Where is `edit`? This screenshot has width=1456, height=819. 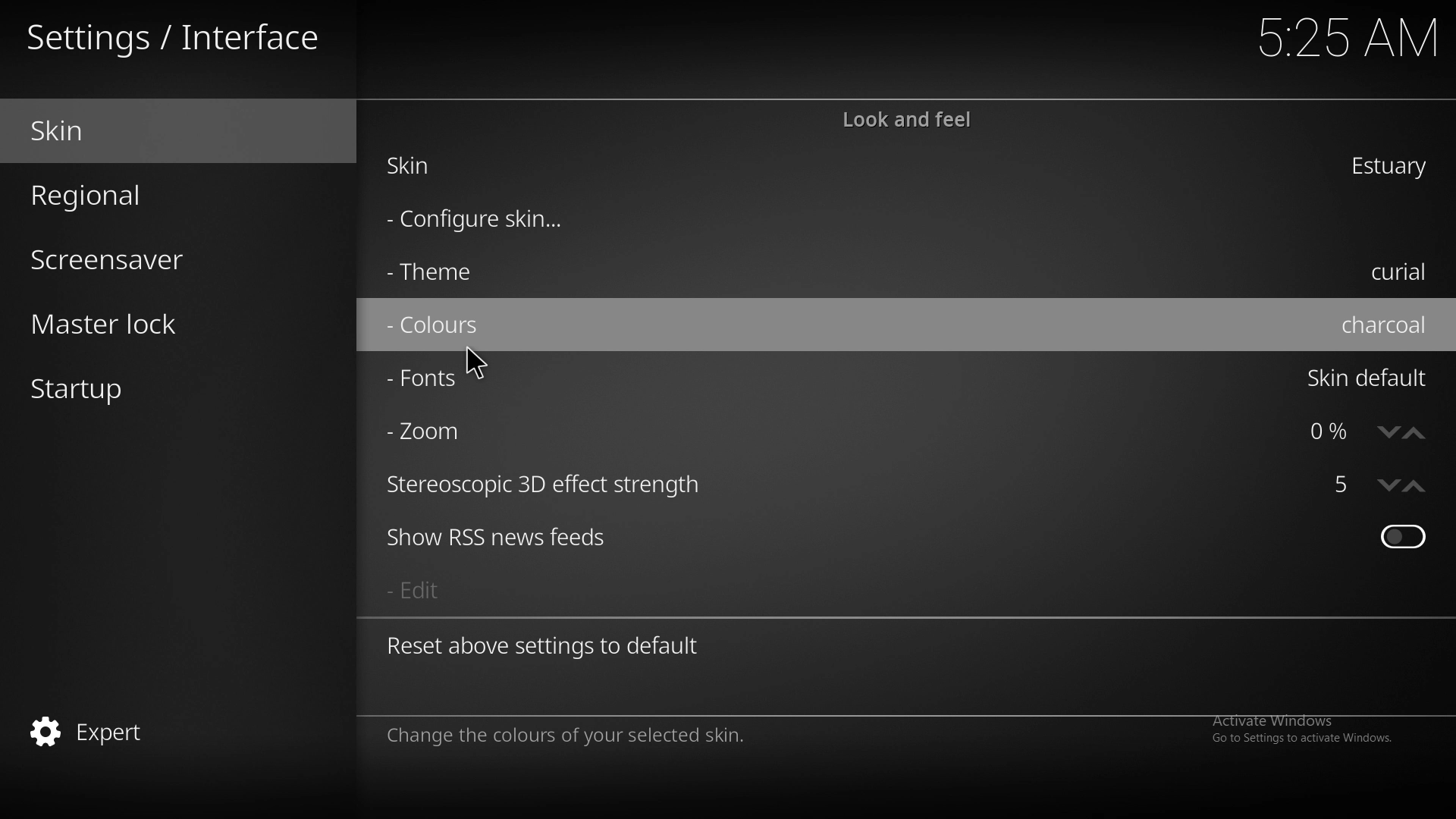 edit is located at coordinates (453, 590).